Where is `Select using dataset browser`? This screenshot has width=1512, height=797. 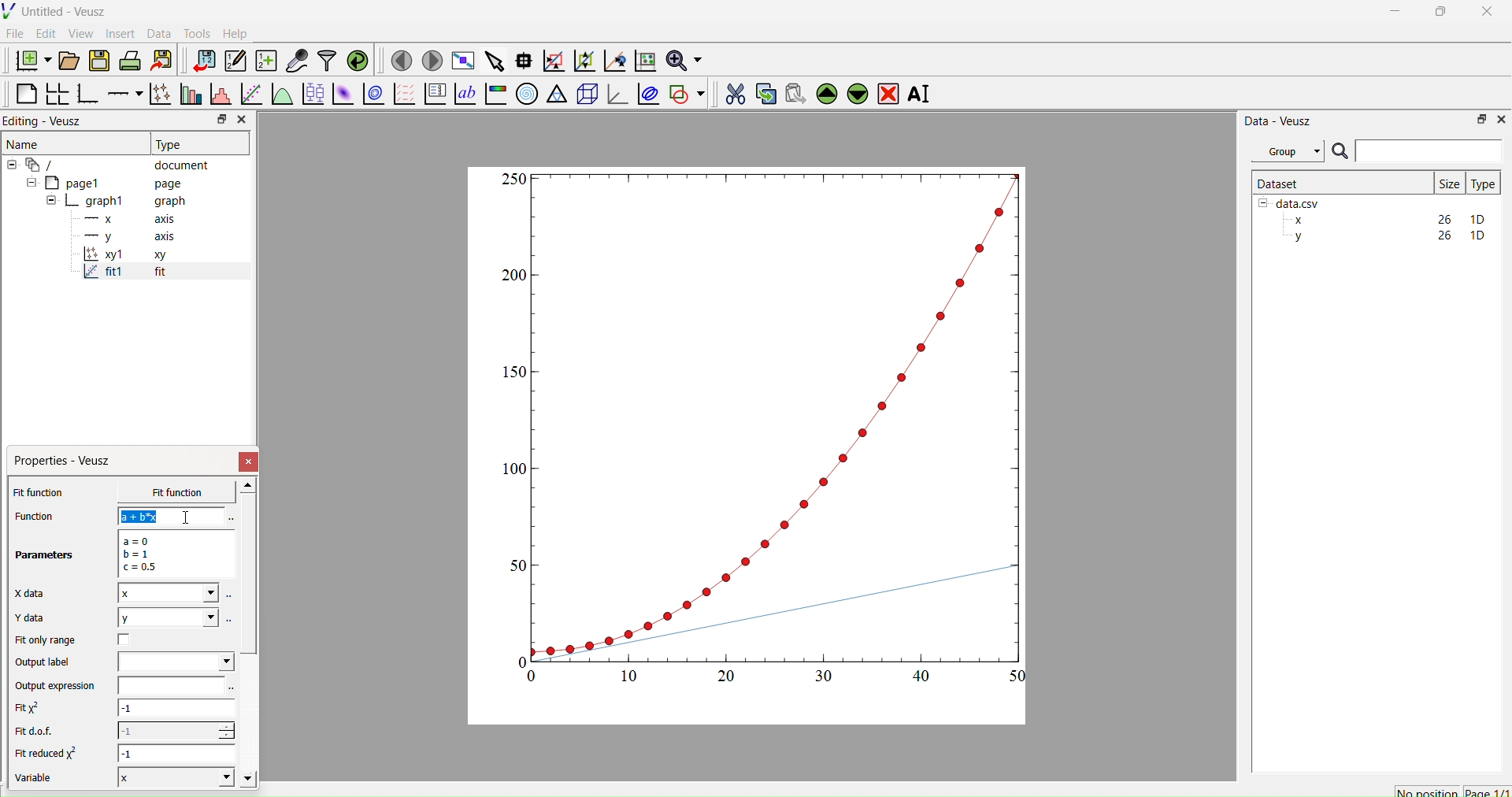 Select using dataset browser is located at coordinates (229, 519).